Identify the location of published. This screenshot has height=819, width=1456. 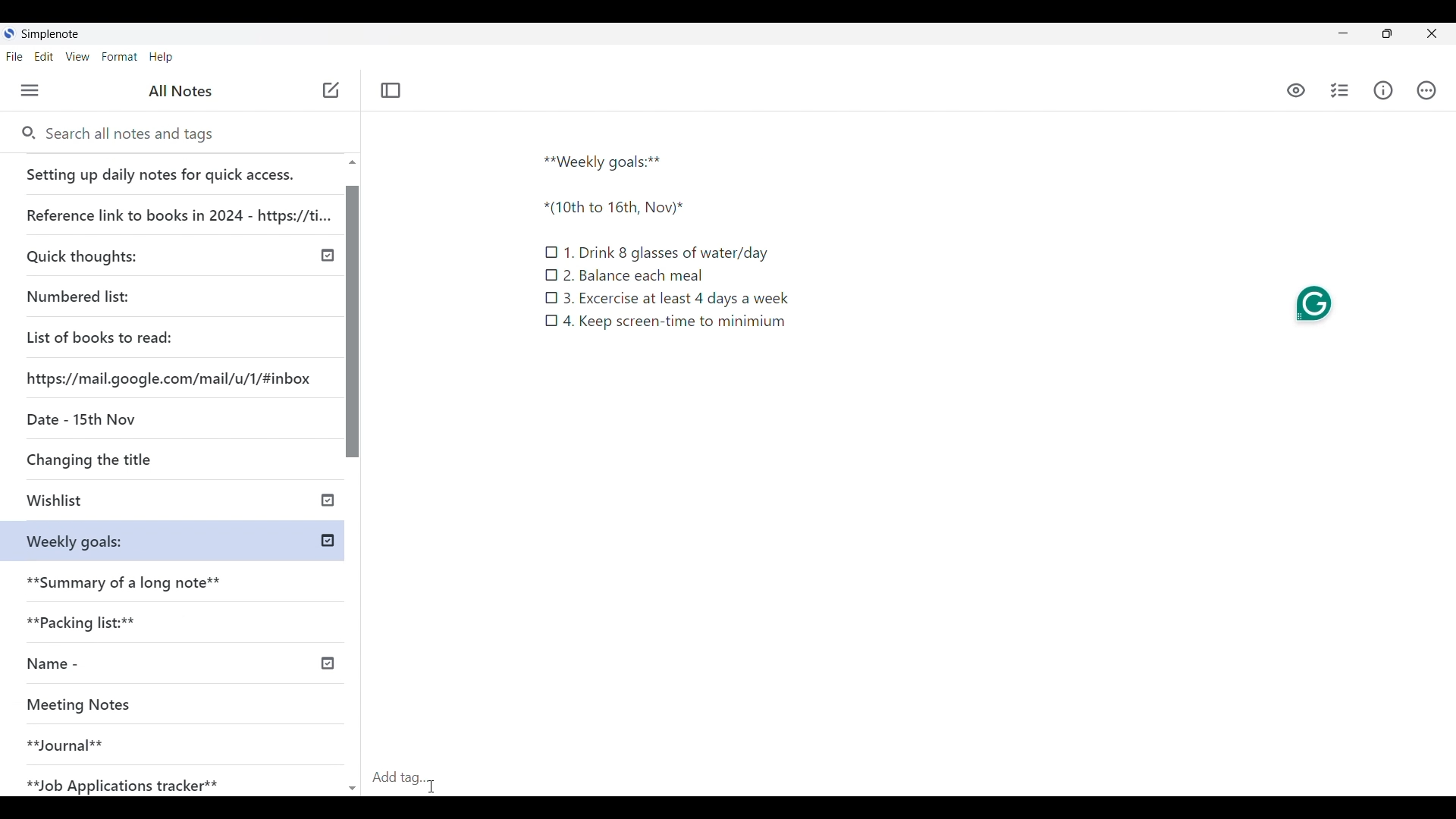
(328, 541).